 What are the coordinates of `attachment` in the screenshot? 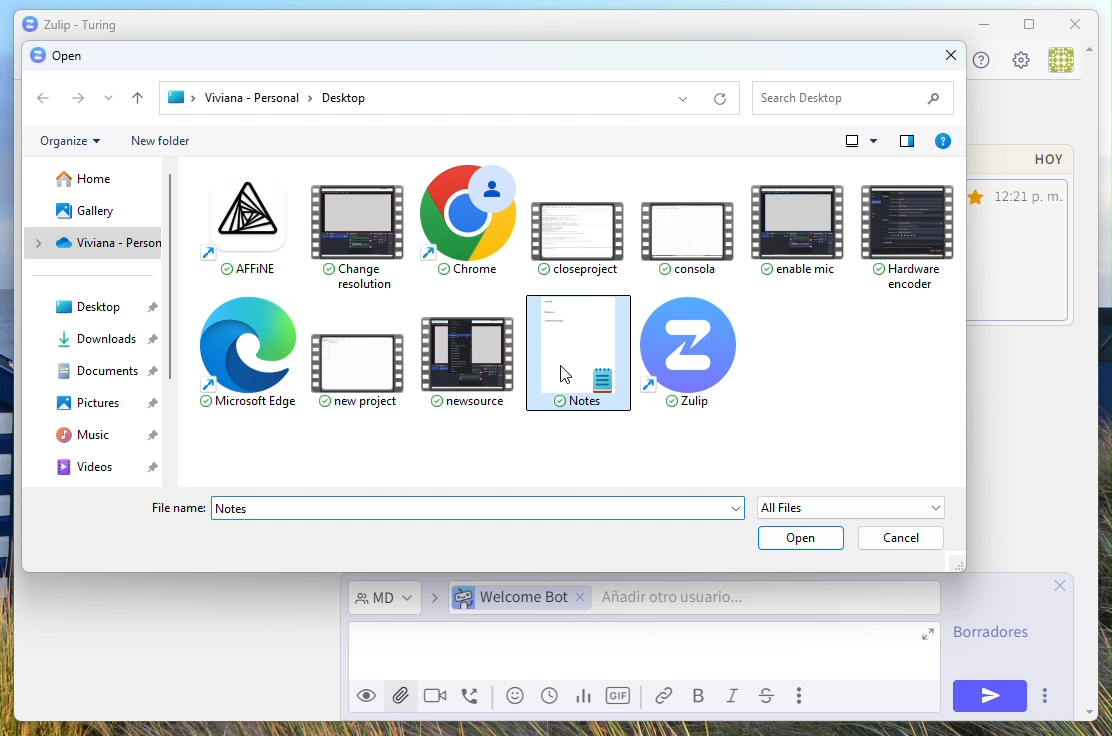 It's located at (399, 694).